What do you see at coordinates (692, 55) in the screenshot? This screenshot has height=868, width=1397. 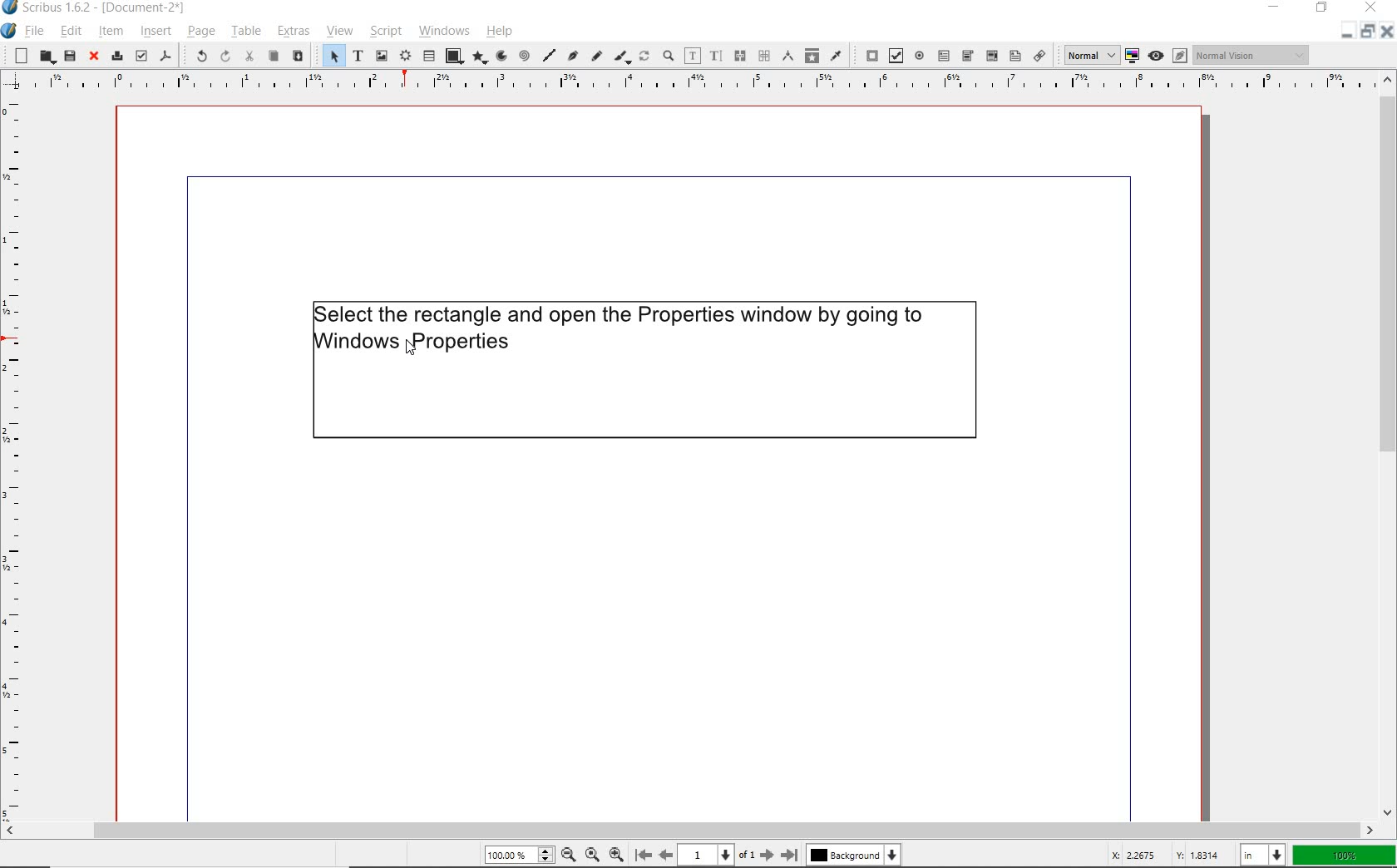 I see `edit contents of frame` at bounding box center [692, 55].